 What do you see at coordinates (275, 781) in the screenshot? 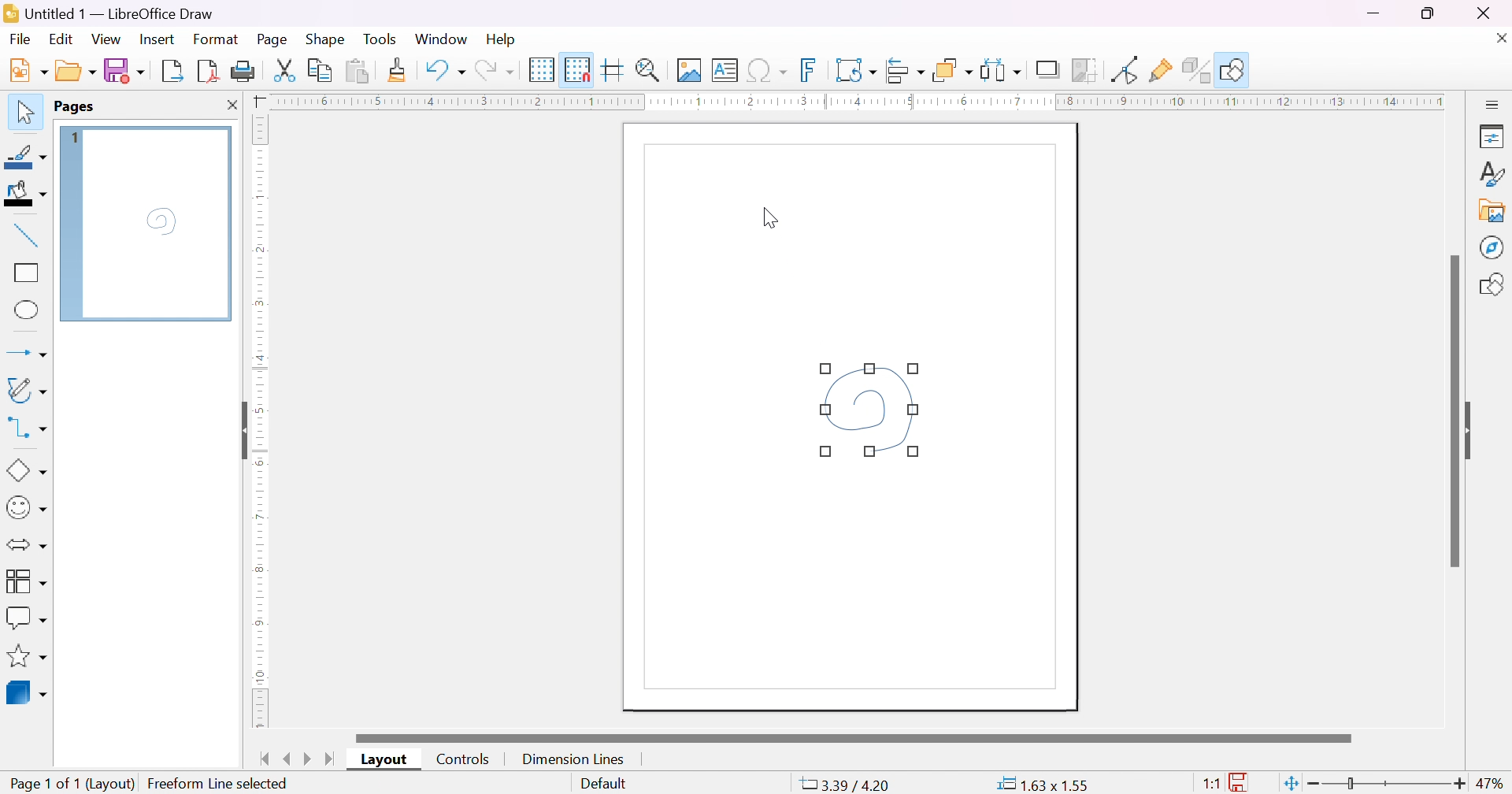
I see `Create Freeform Line(dx=0.13 dy=0.01)` at bounding box center [275, 781].